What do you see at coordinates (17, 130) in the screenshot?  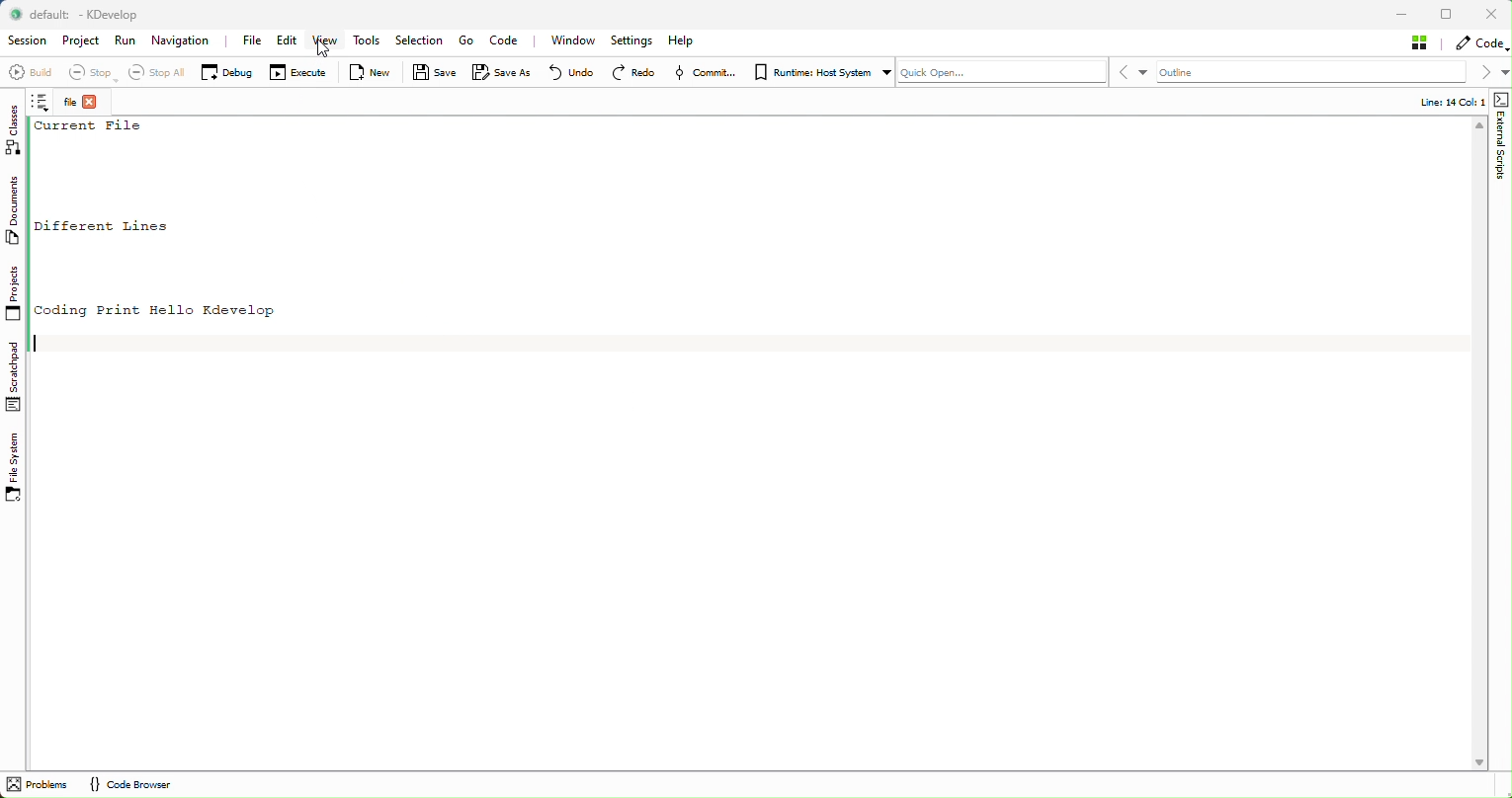 I see `Classes` at bounding box center [17, 130].